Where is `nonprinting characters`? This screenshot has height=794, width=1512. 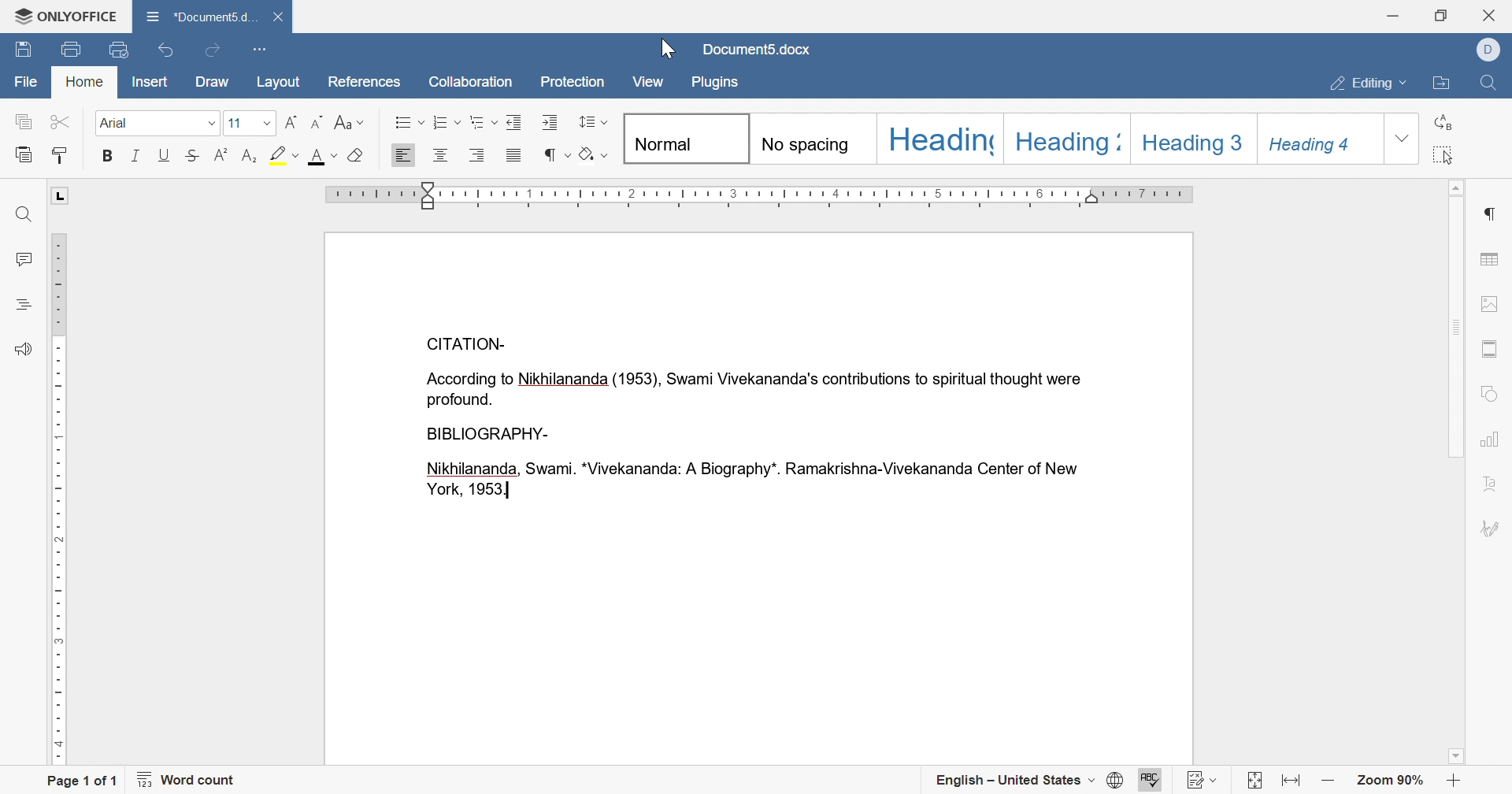
nonprinting characters is located at coordinates (557, 156).